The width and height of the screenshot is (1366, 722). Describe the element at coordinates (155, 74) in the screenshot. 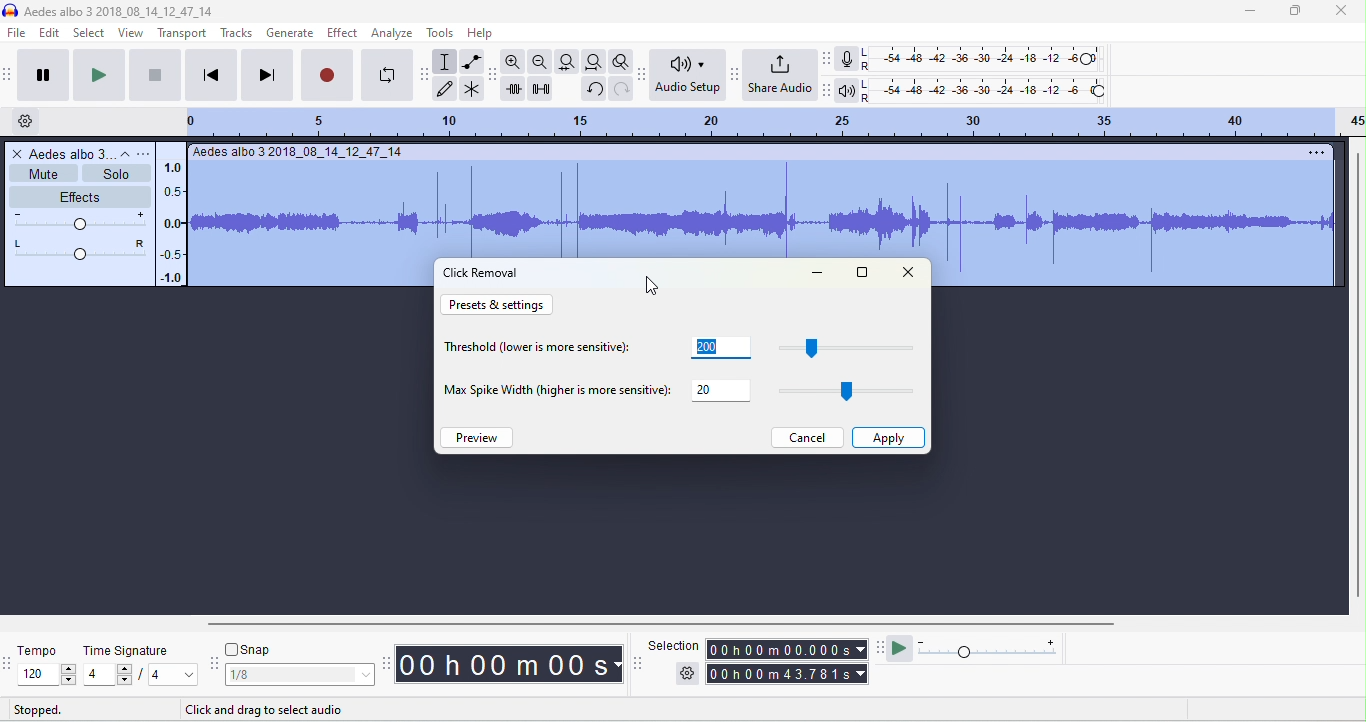

I see `stop` at that location.